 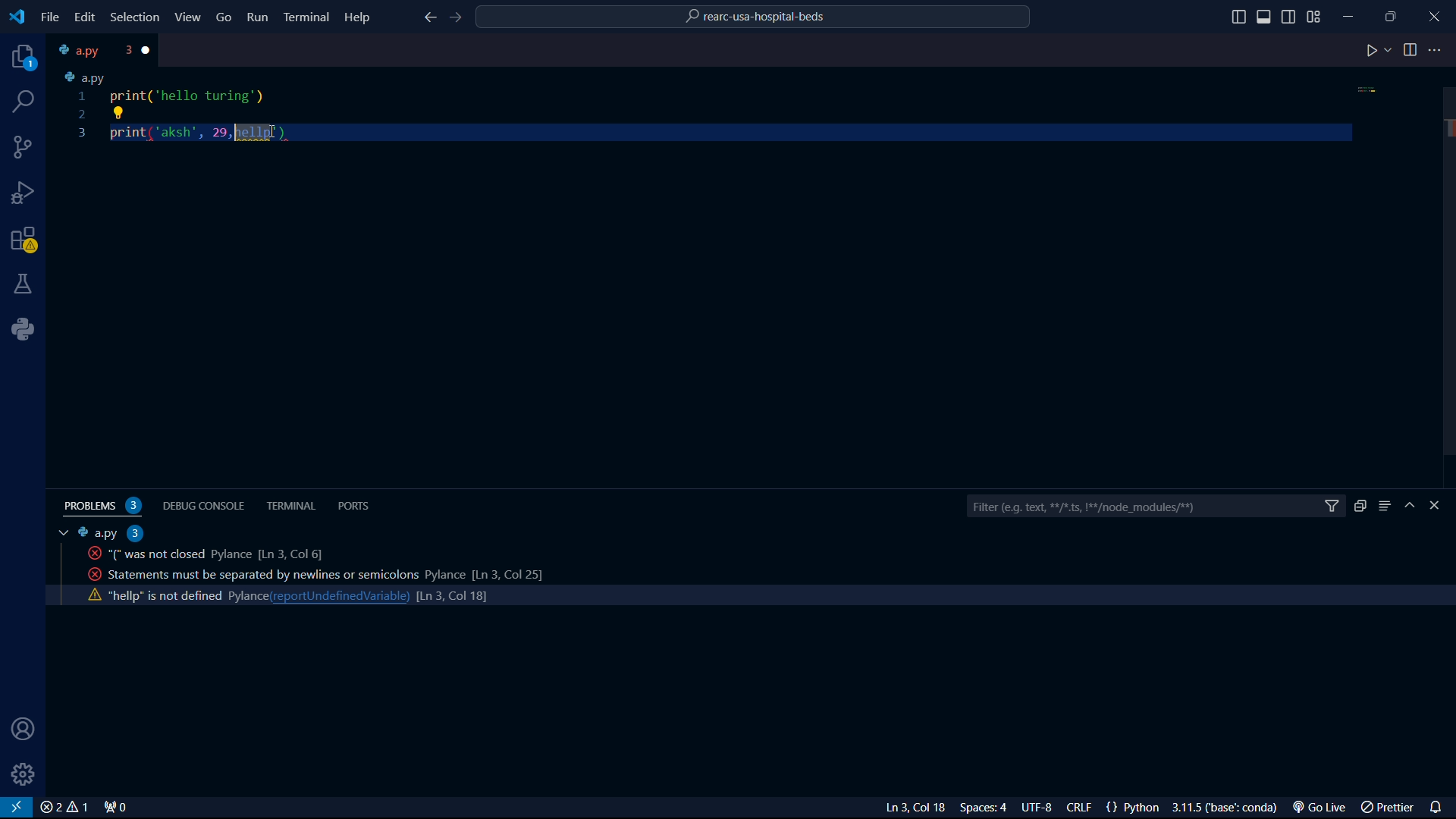 I want to click on {} Python, so click(x=1135, y=808).